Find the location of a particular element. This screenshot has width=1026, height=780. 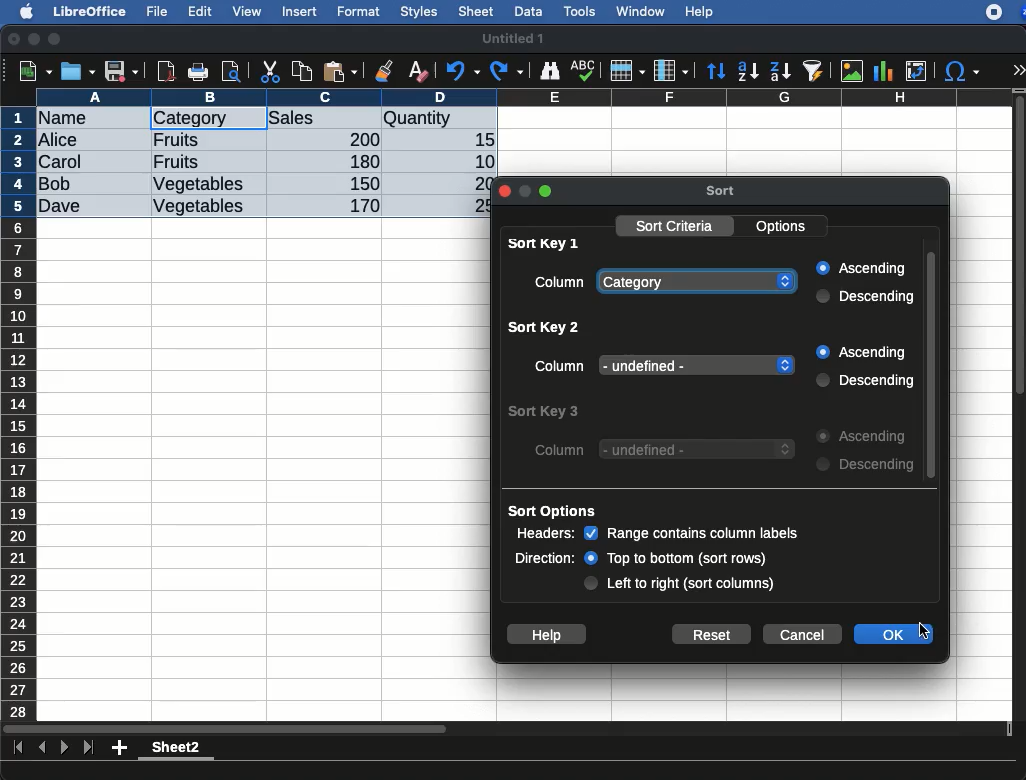

column is located at coordinates (559, 365).